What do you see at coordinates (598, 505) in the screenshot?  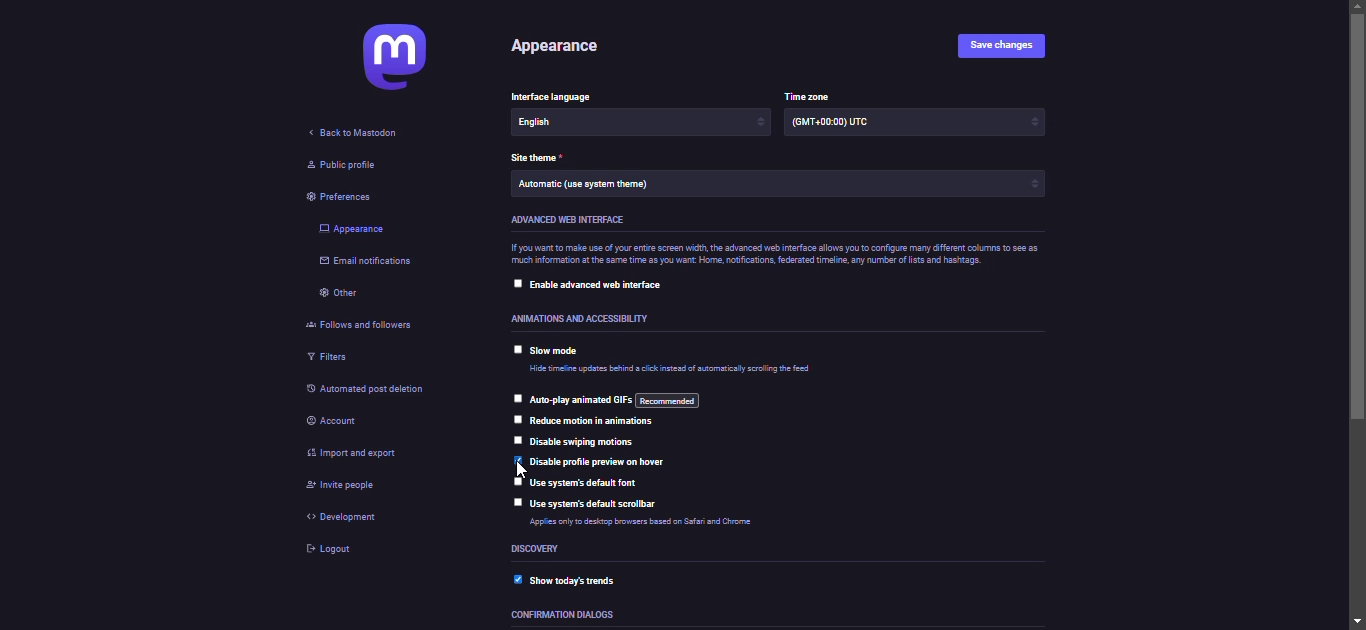 I see `use system's default scrollbar` at bounding box center [598, 505].